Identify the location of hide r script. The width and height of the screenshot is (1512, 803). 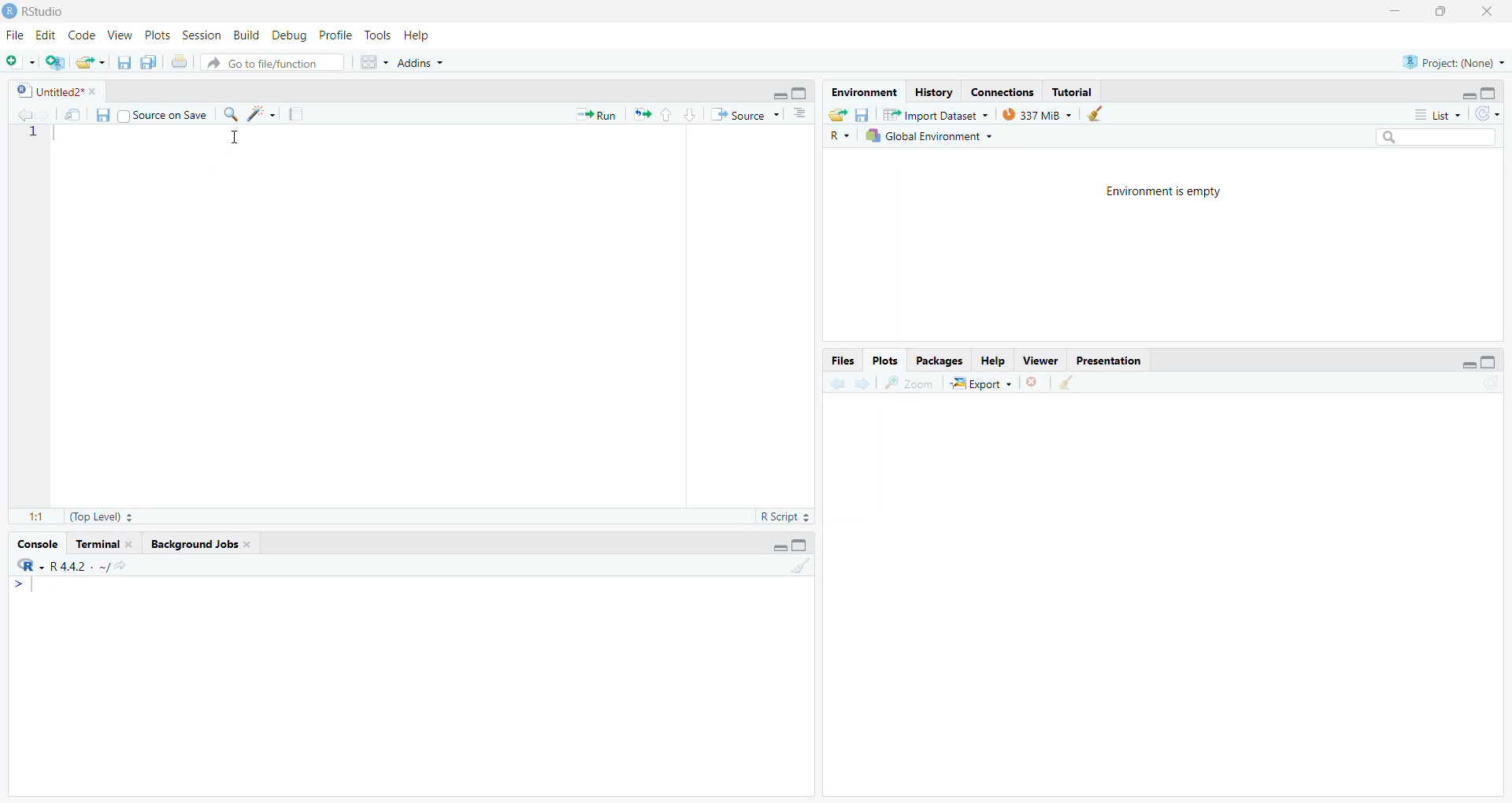
(776, 545).